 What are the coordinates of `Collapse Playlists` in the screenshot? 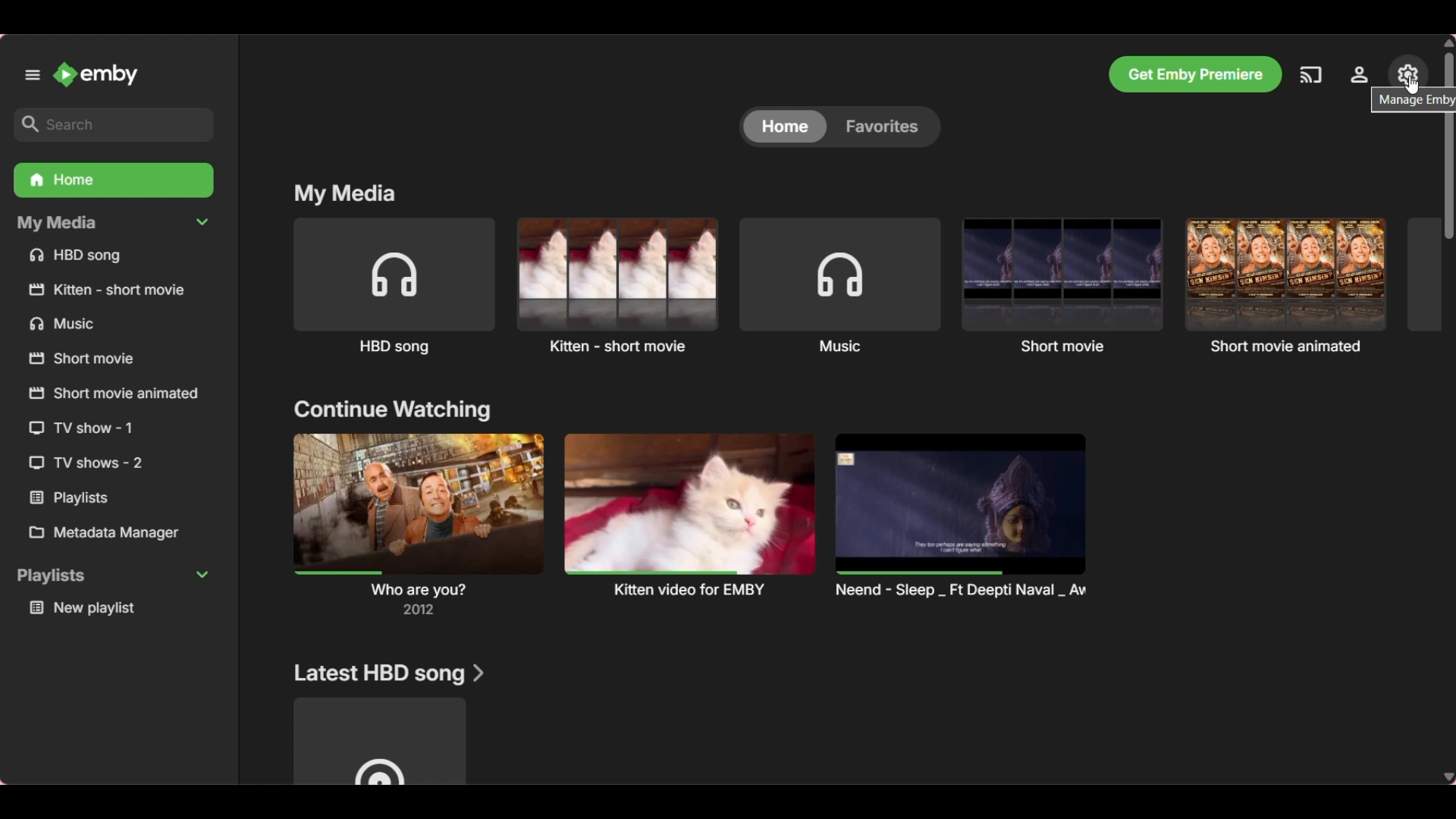 It's located at (112, 576).